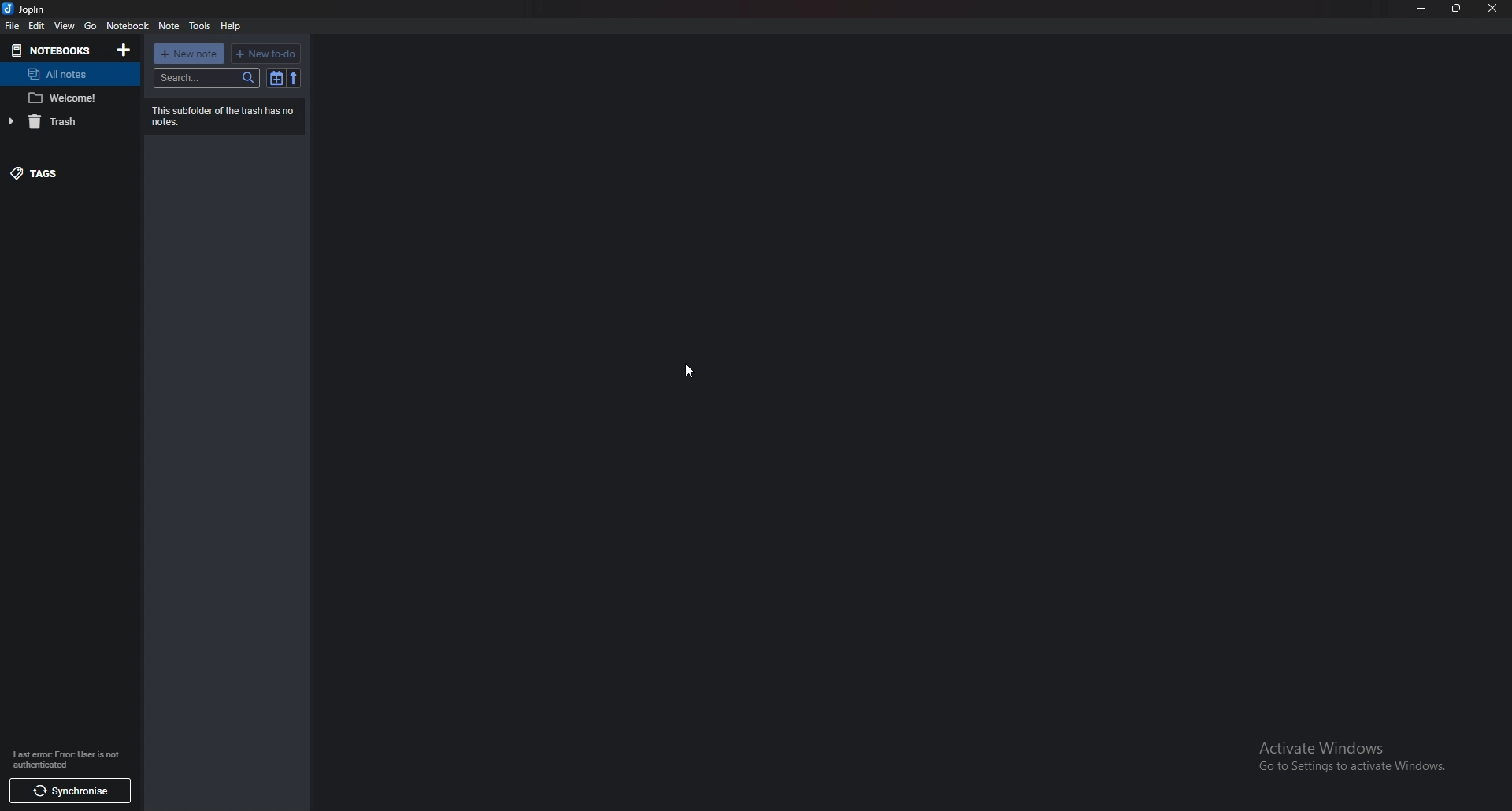  I want to click on minimize, so click(1420, 9).